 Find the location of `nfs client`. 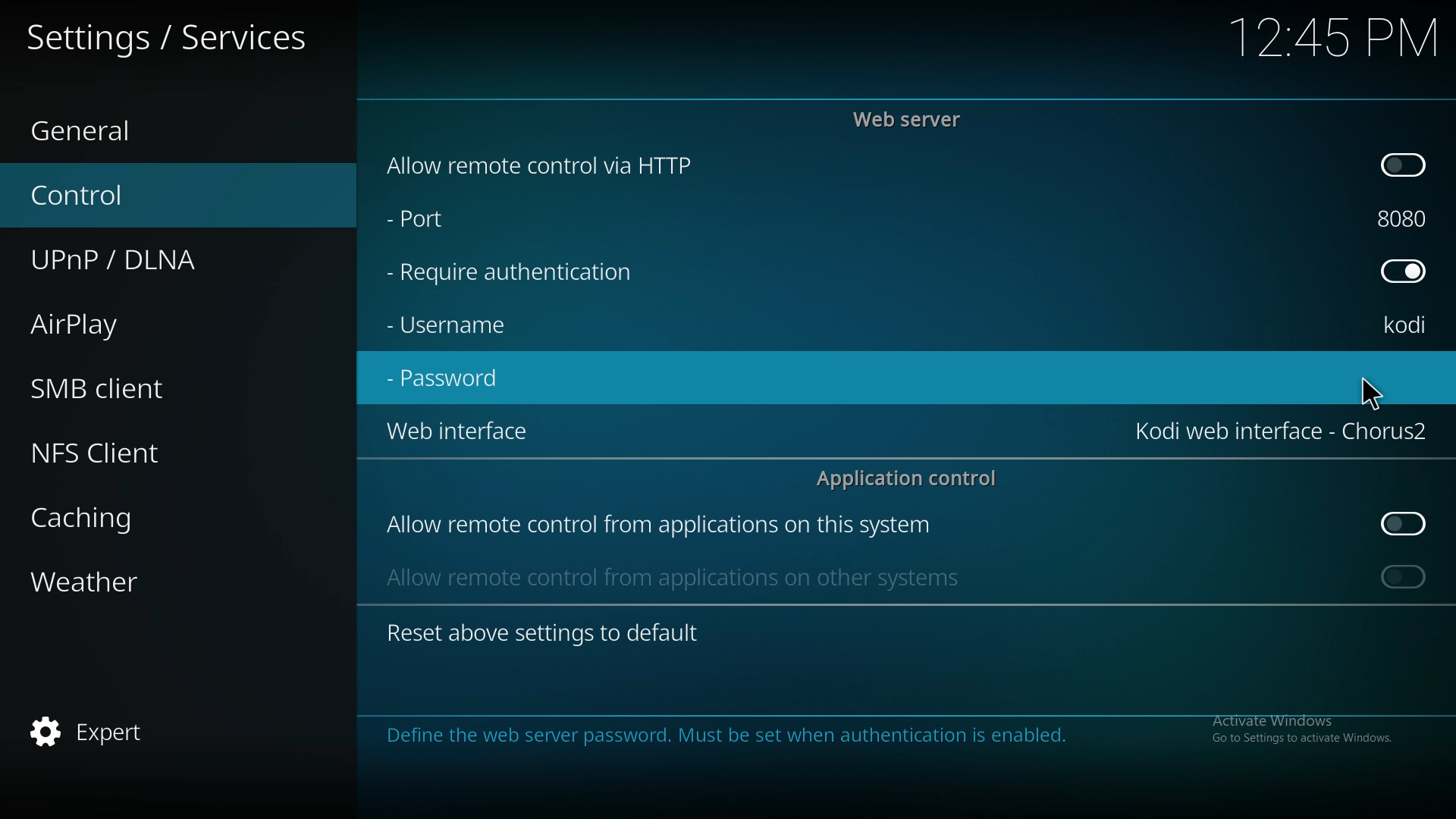

nfs client is located at coordinates (124, 453).